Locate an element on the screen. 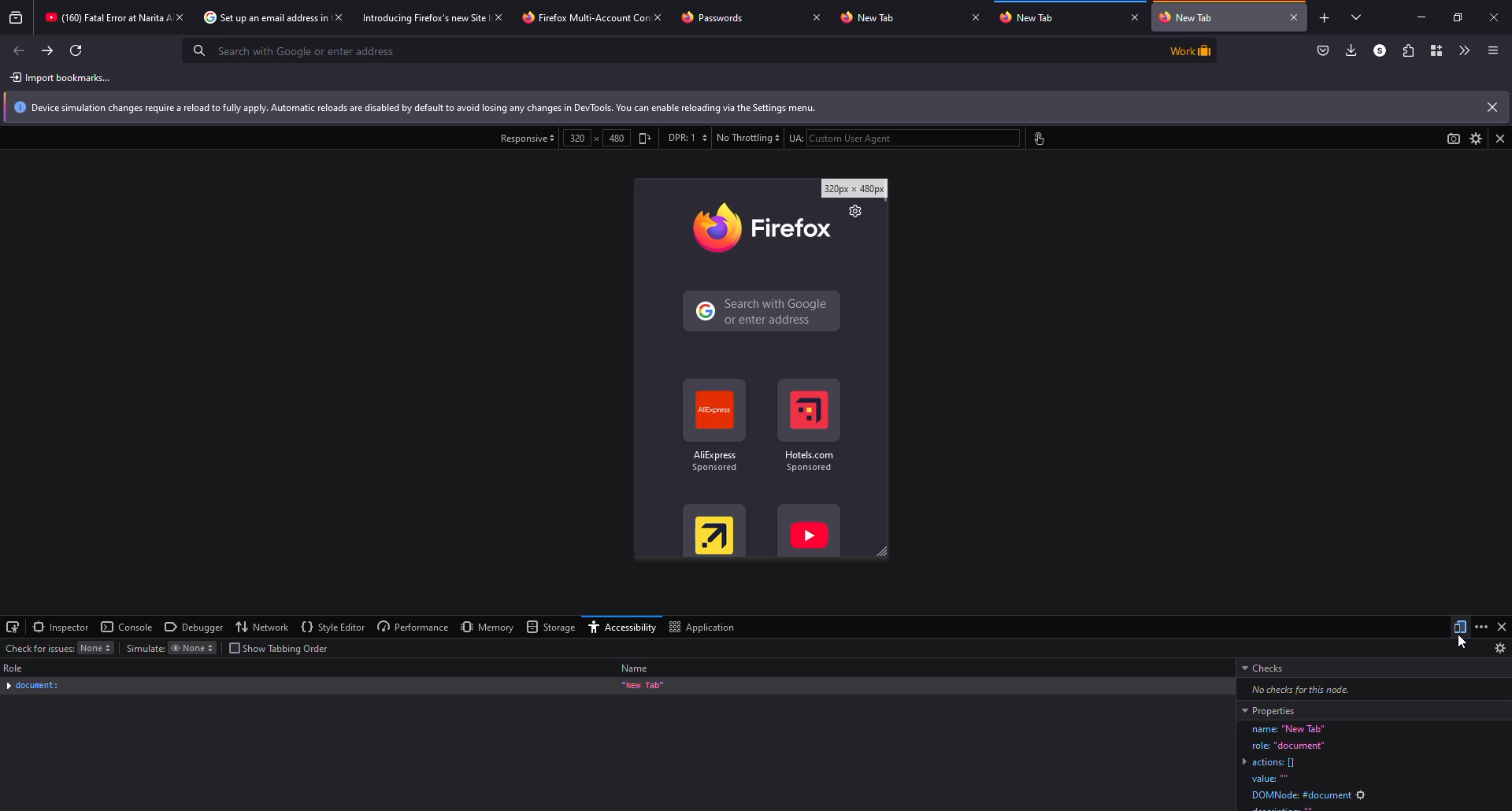 The width and height of the screenshot is (1512, 811). work is located at coordinates (1188, 50).